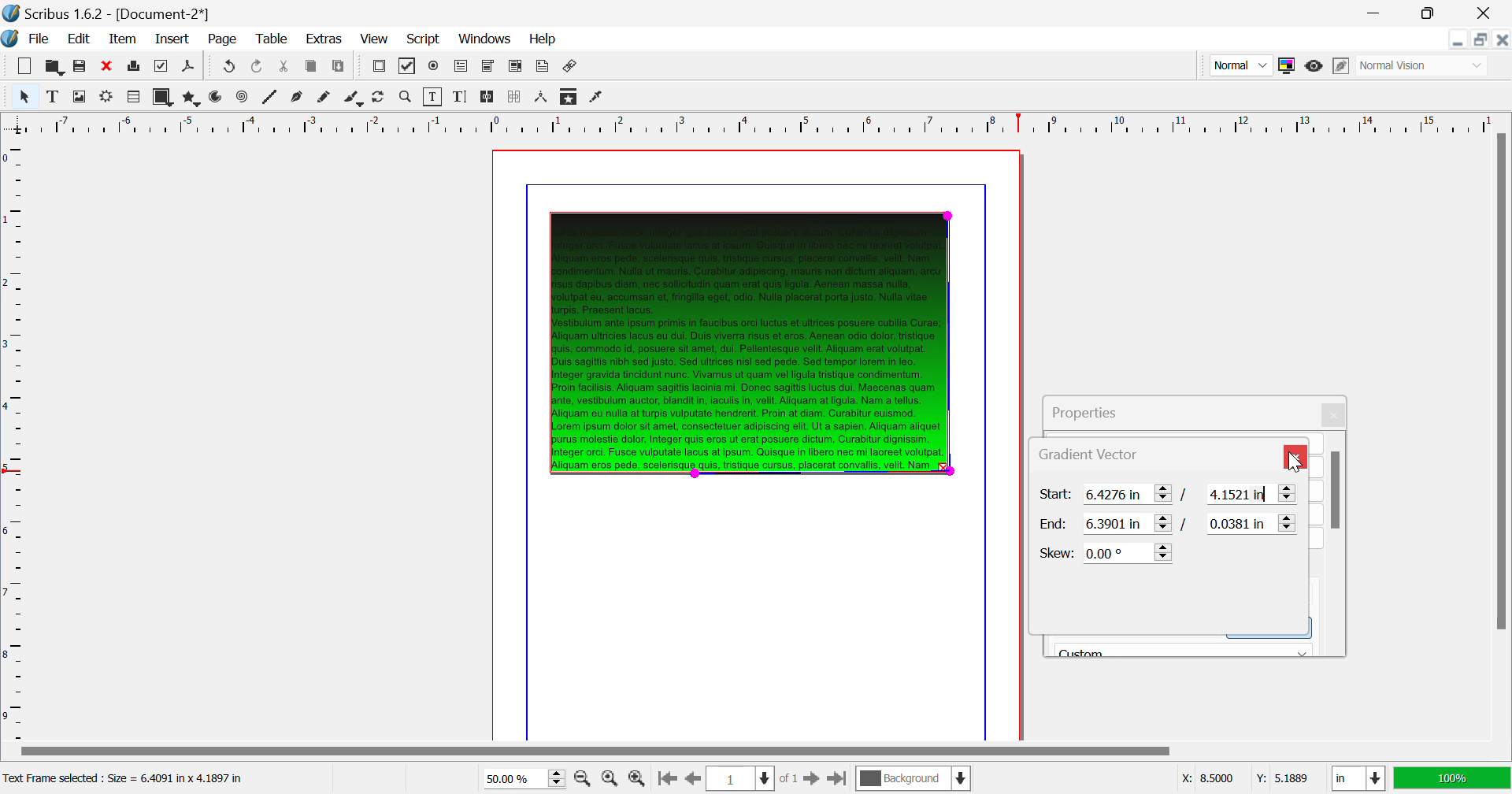 The image size is (1512, 794). What do you see at coordinates (1336, 415) in the screenshot?
I see `Close` at bounding box center [1336, 415].